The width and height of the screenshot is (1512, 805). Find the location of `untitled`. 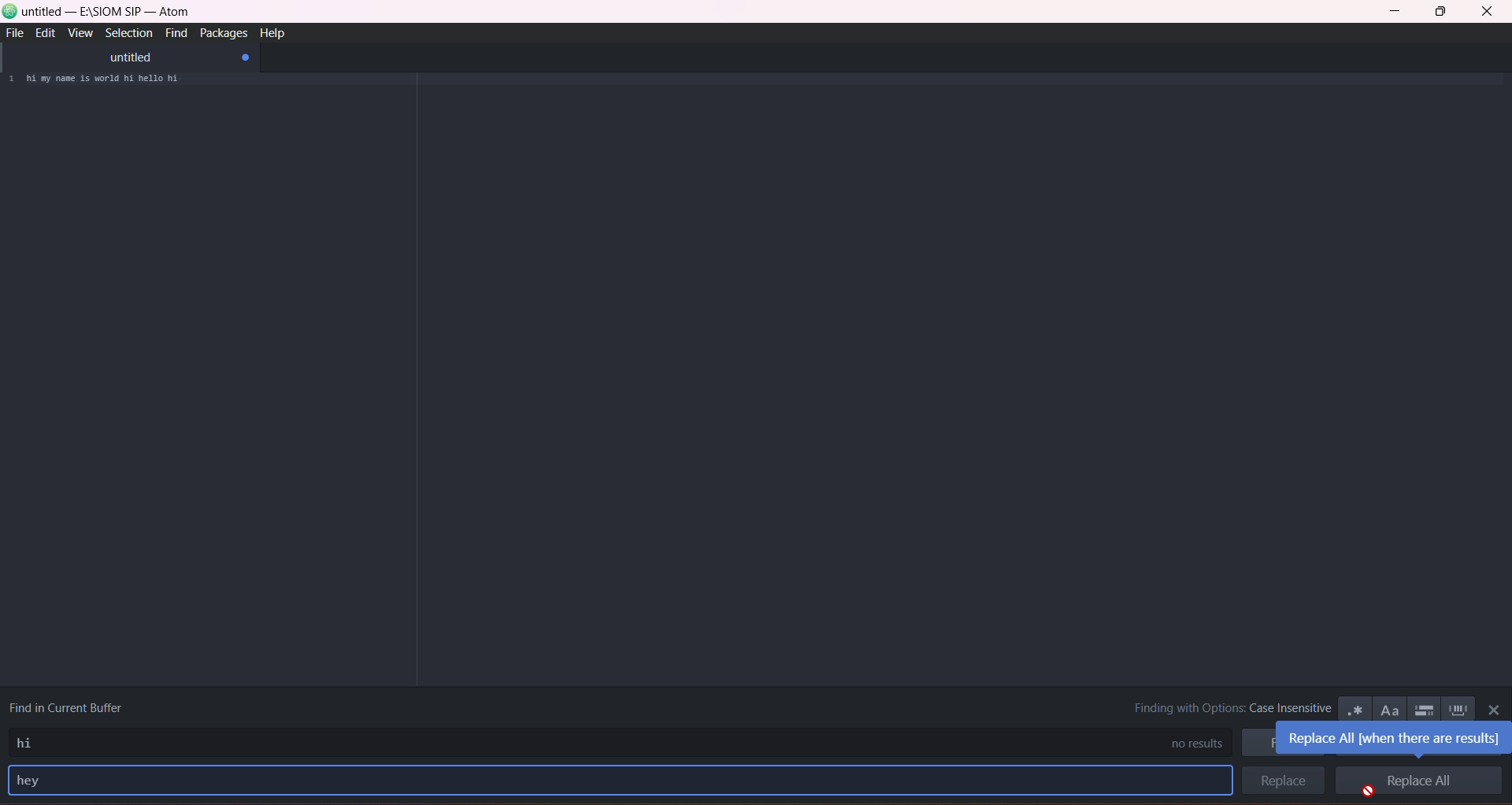

untitled is located at coordinates (129, 57).